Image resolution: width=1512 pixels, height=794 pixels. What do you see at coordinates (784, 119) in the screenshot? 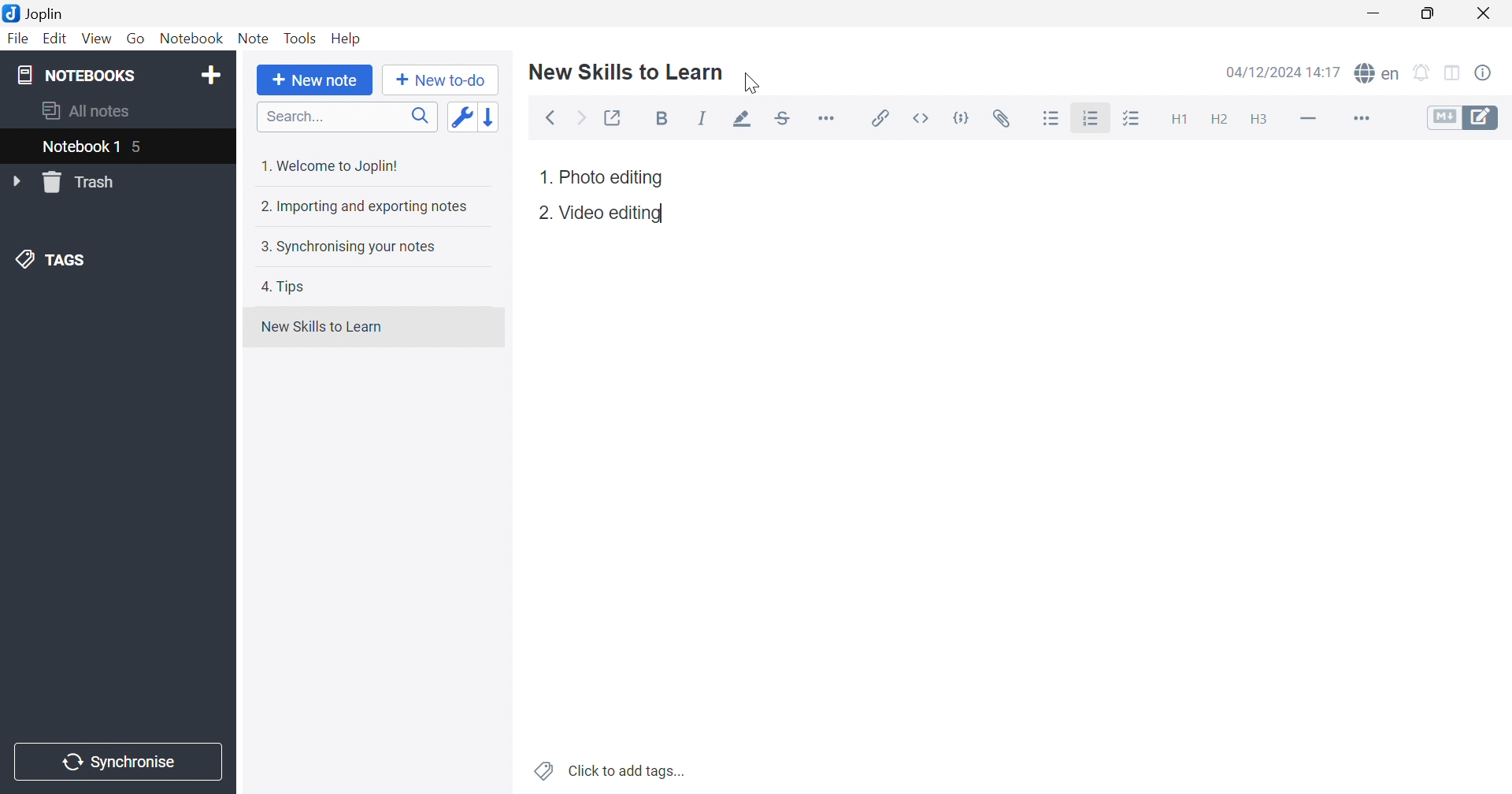
I see `Strikethrough` at bounding box center [784, 119].